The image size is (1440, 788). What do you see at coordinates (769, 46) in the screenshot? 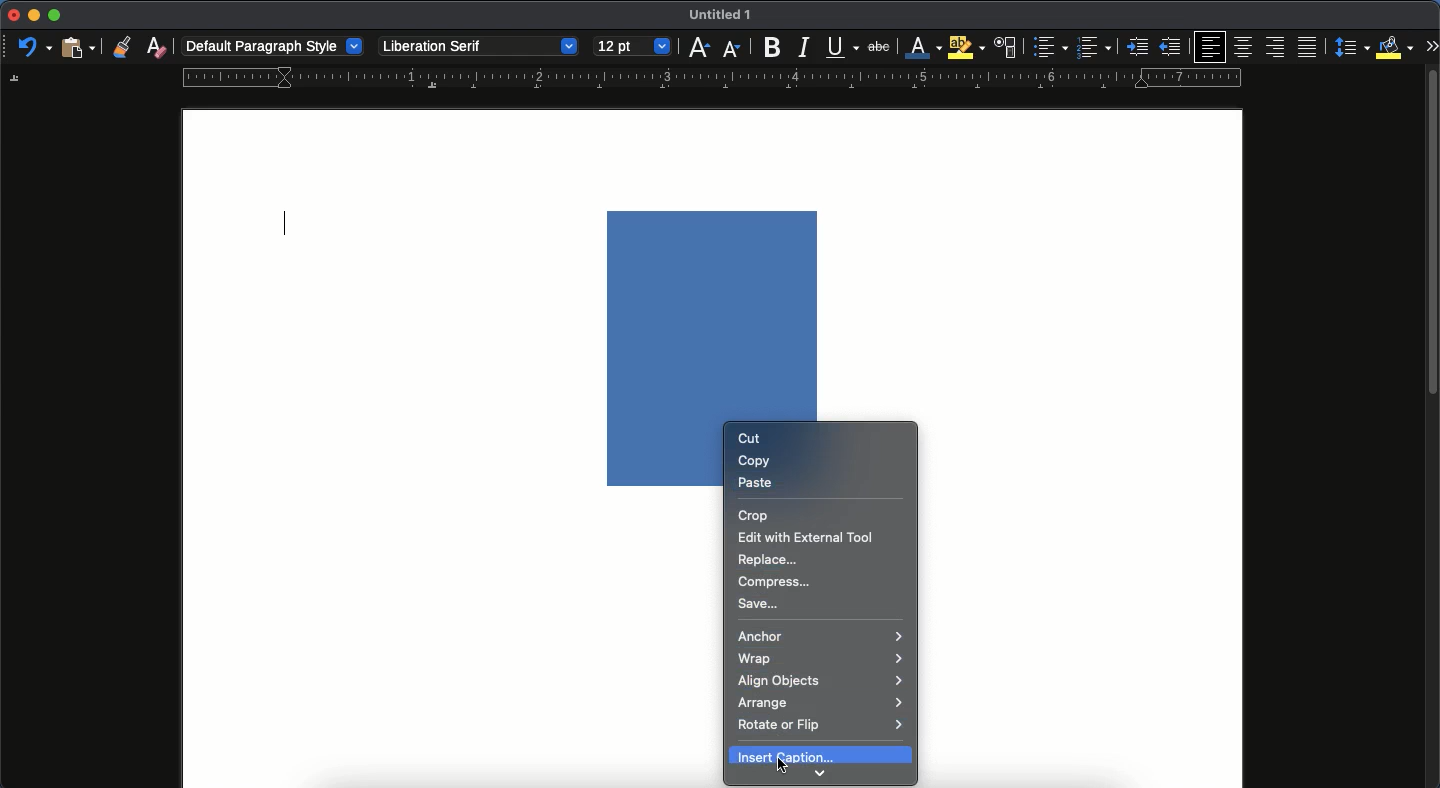
I see `bold` at bounding box center [769, 46].